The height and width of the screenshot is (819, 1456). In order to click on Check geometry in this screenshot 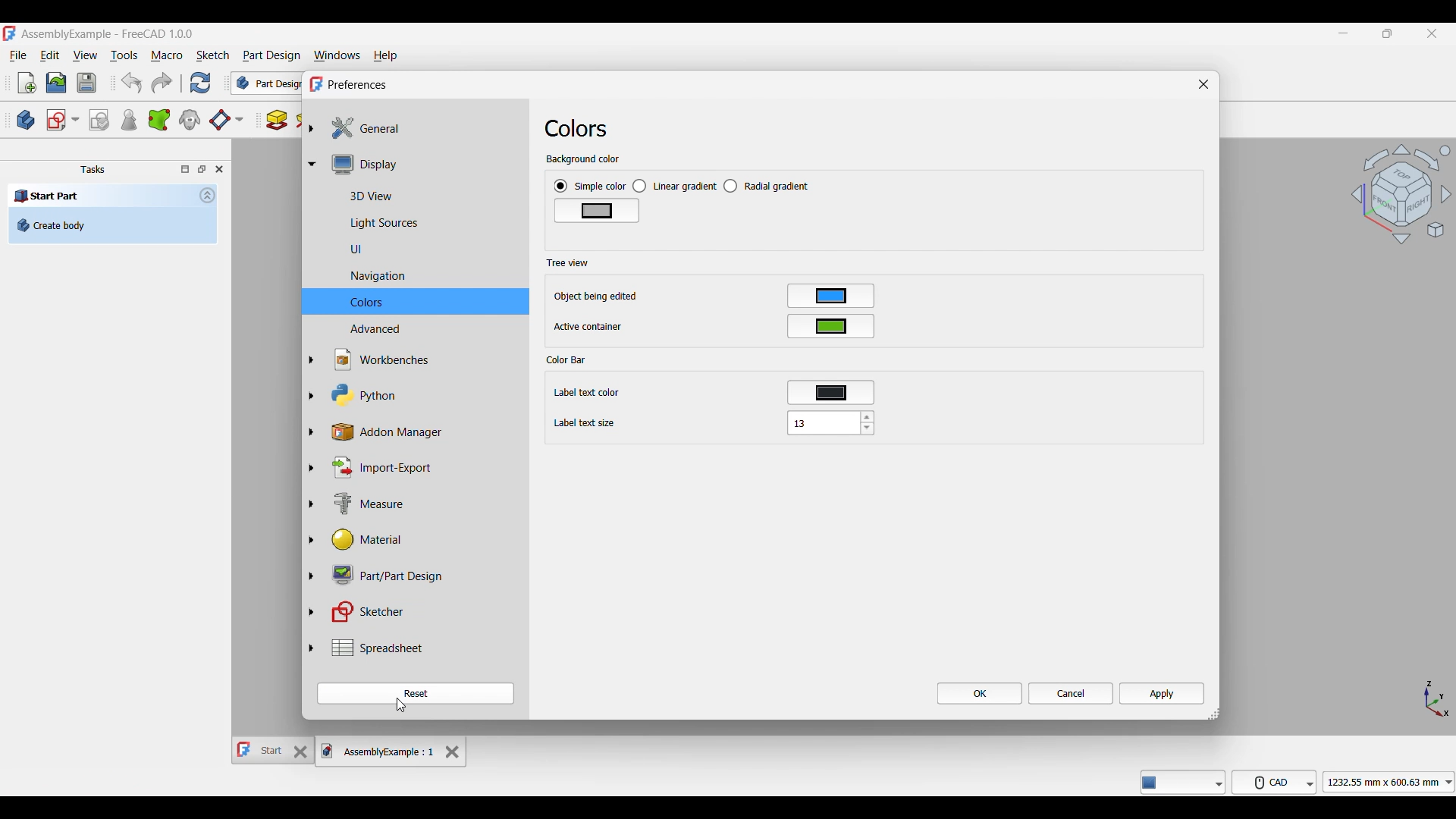, I will do `click(128, 119)`.